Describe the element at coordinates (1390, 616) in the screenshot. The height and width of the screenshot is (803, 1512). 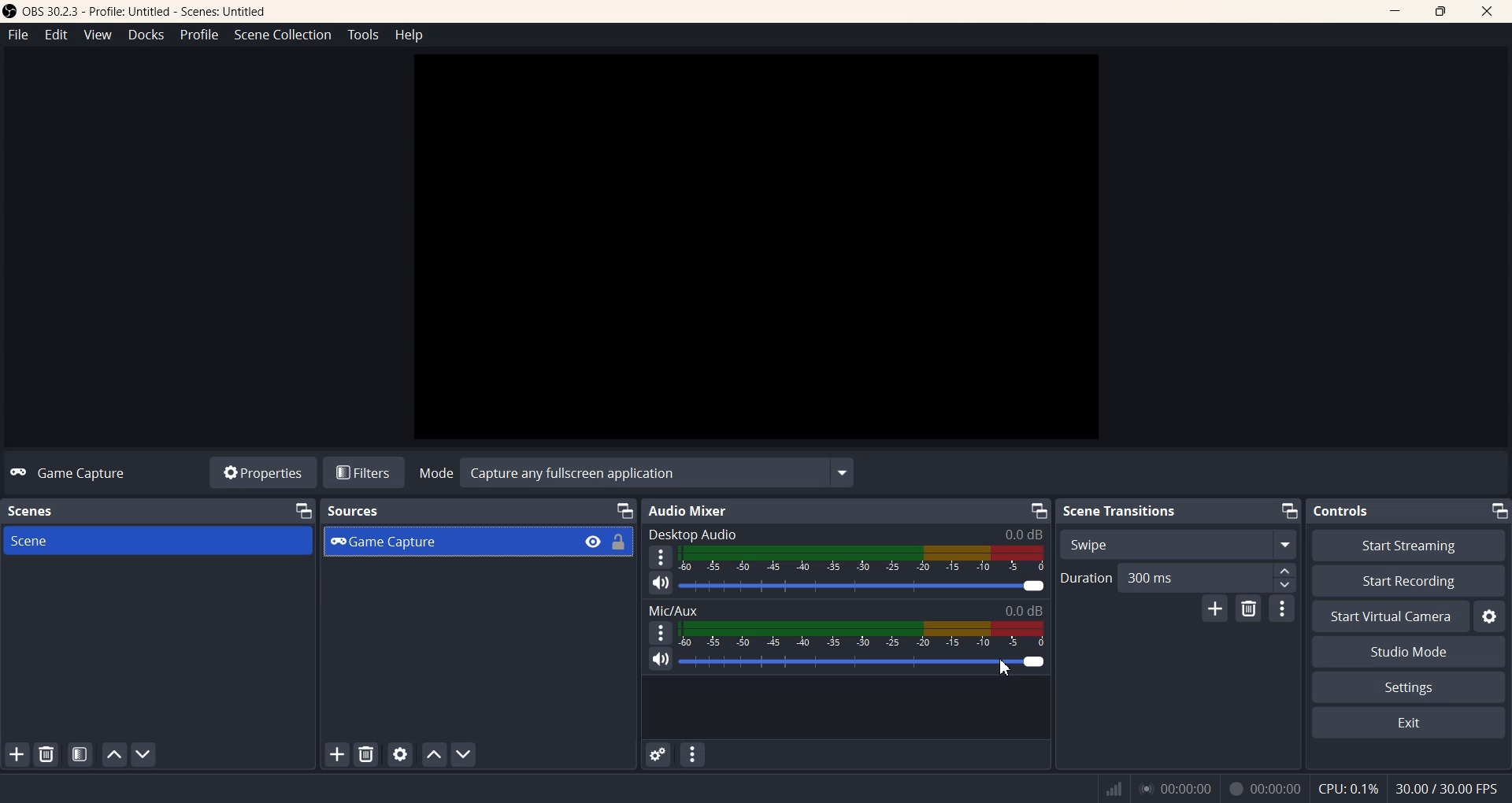
I see `Start Virtual Camera` at that location.